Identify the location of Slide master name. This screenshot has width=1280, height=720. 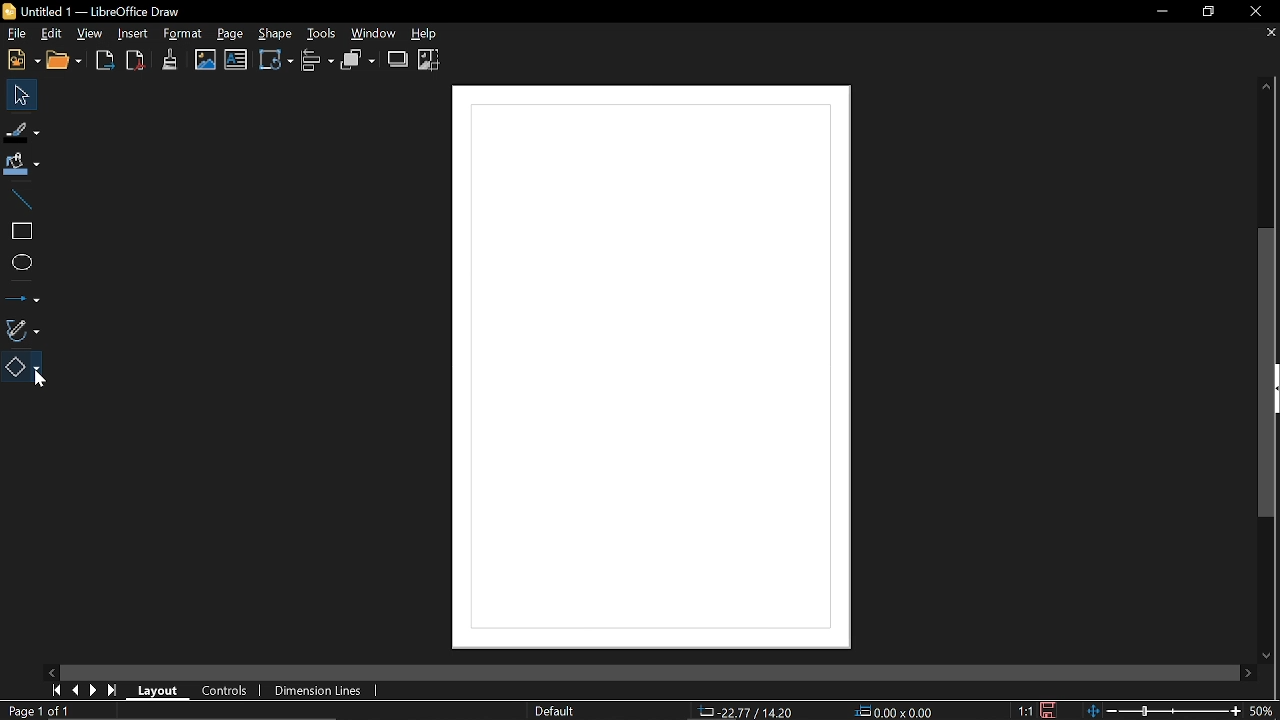
(554, 711).